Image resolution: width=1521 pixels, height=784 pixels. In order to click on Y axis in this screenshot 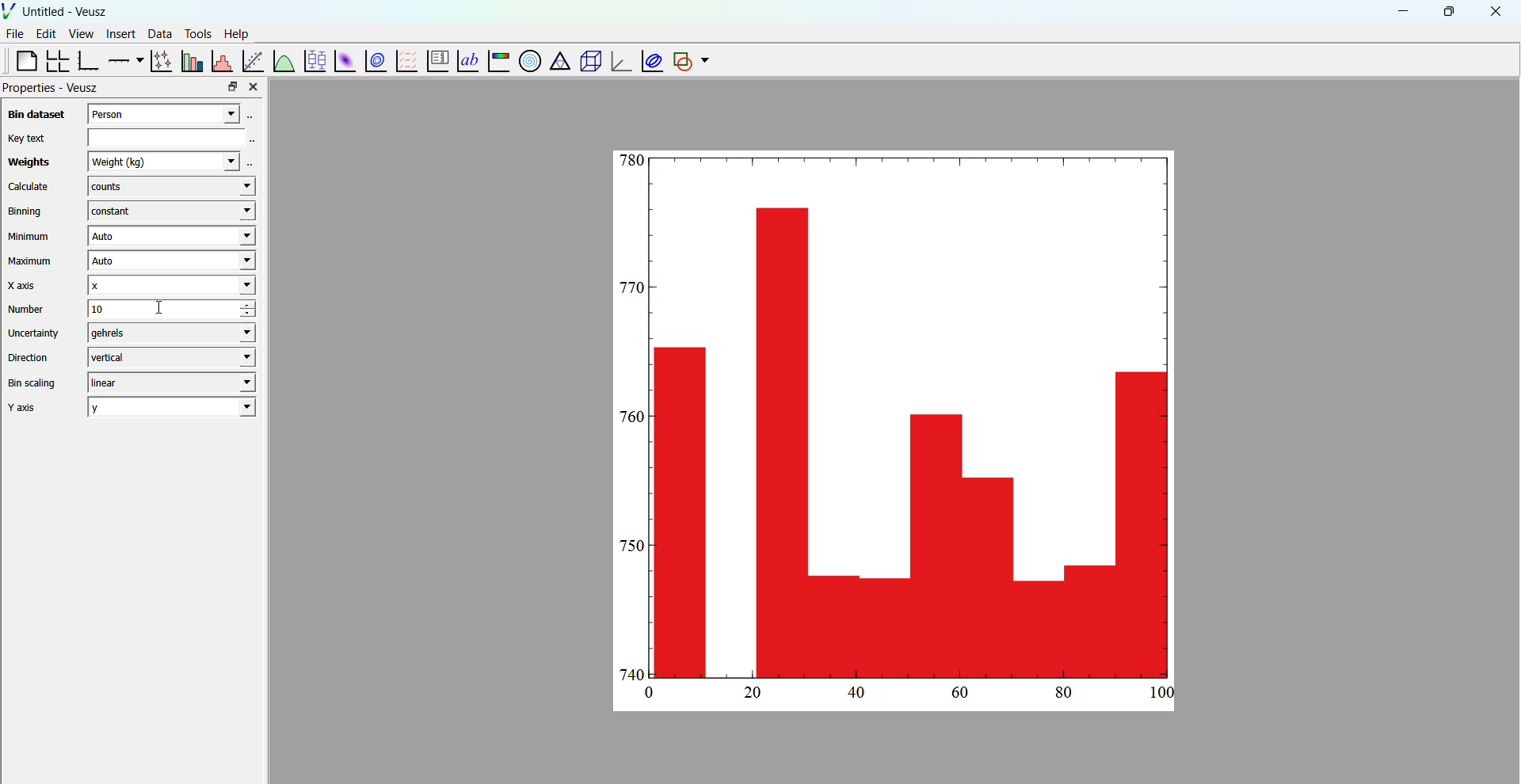, I will do `click(28, 408)`.